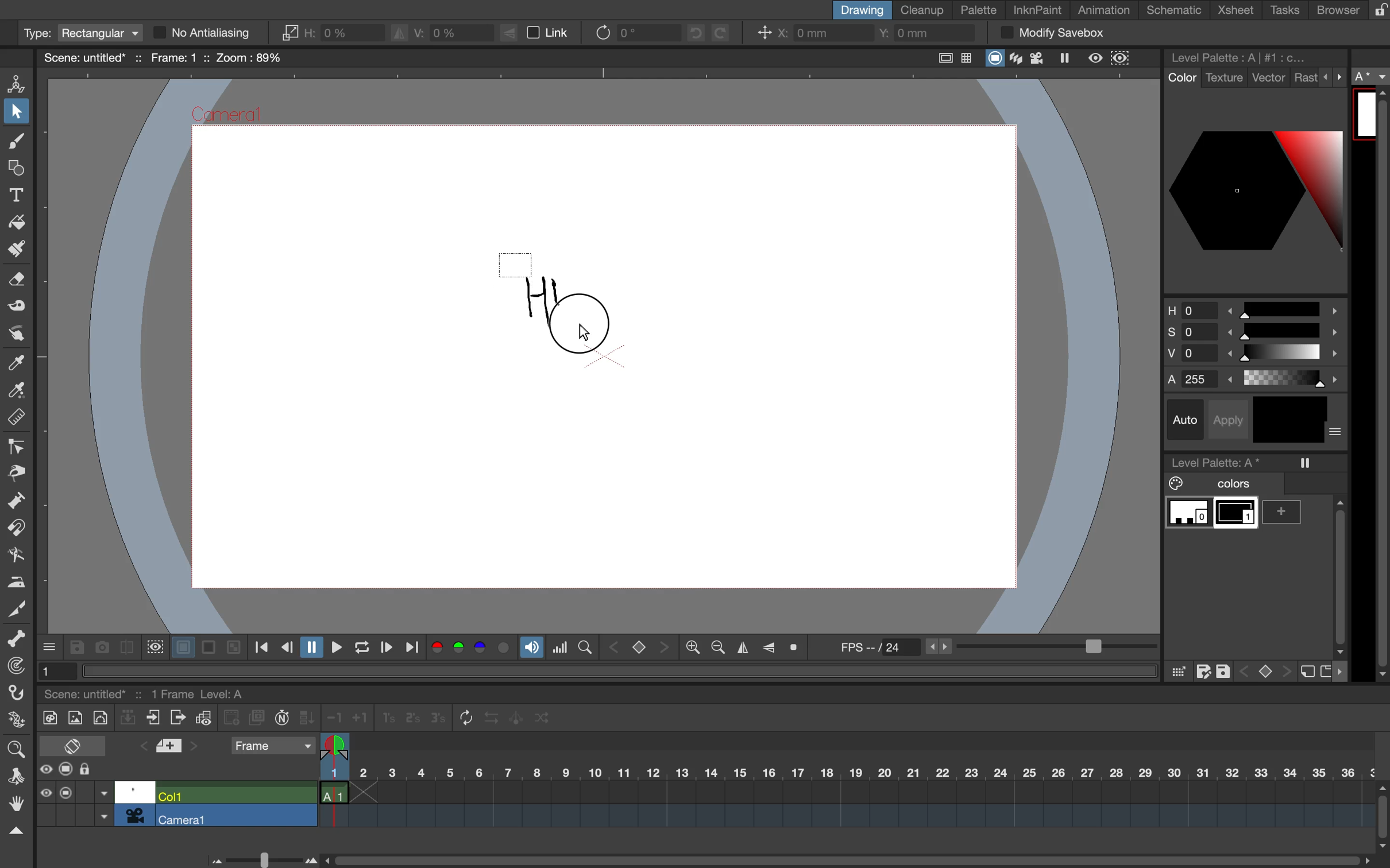 The image size is (1390, 868). What do you see at coordinates (1344, 672) in the screenshot?
I see `more options` at bounding box center [1344, 672].